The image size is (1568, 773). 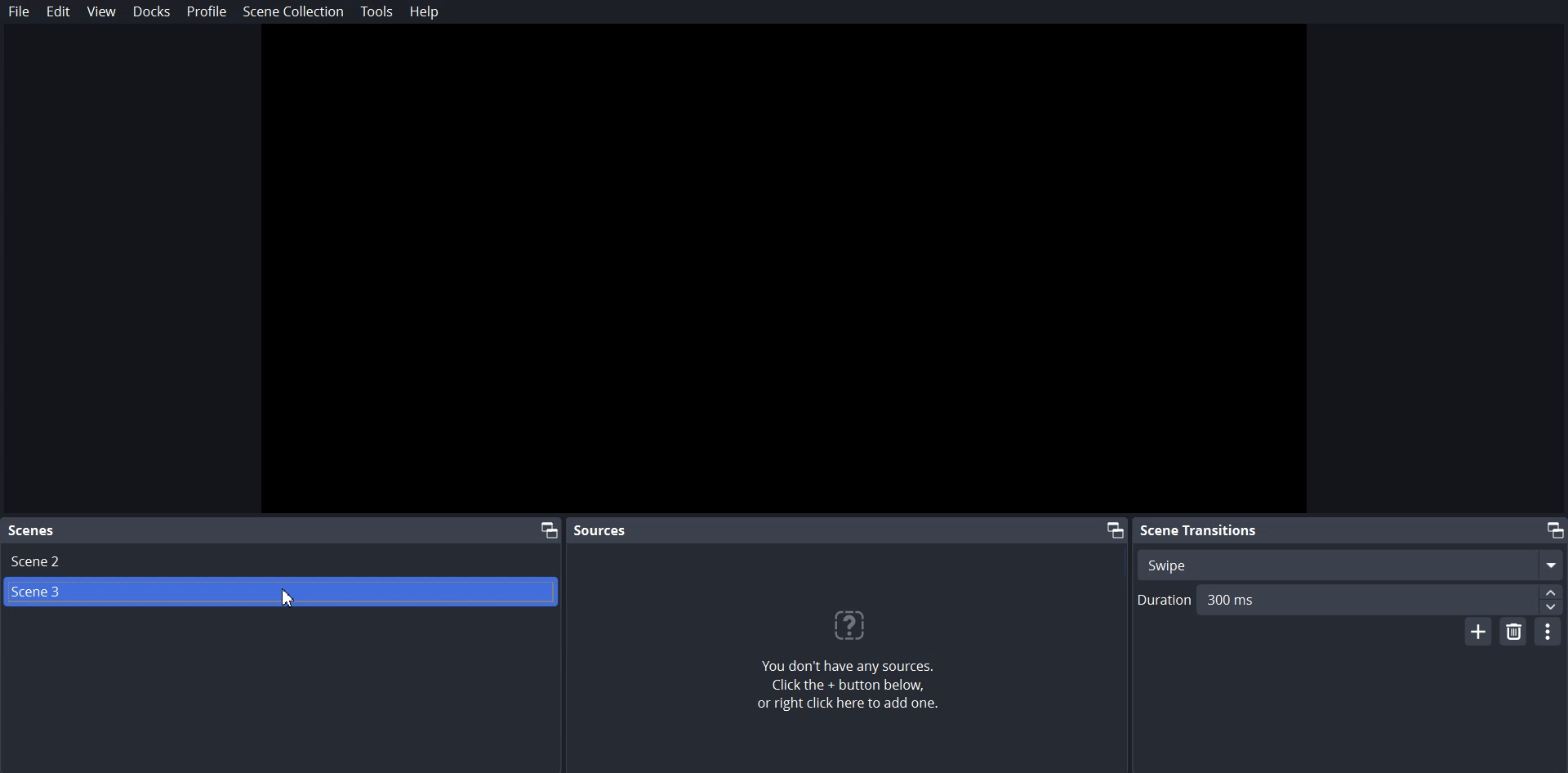 What do you see at coordinates (287, 598) in the screenshot?
I see `Cursor` at bounding box center [287, 598].